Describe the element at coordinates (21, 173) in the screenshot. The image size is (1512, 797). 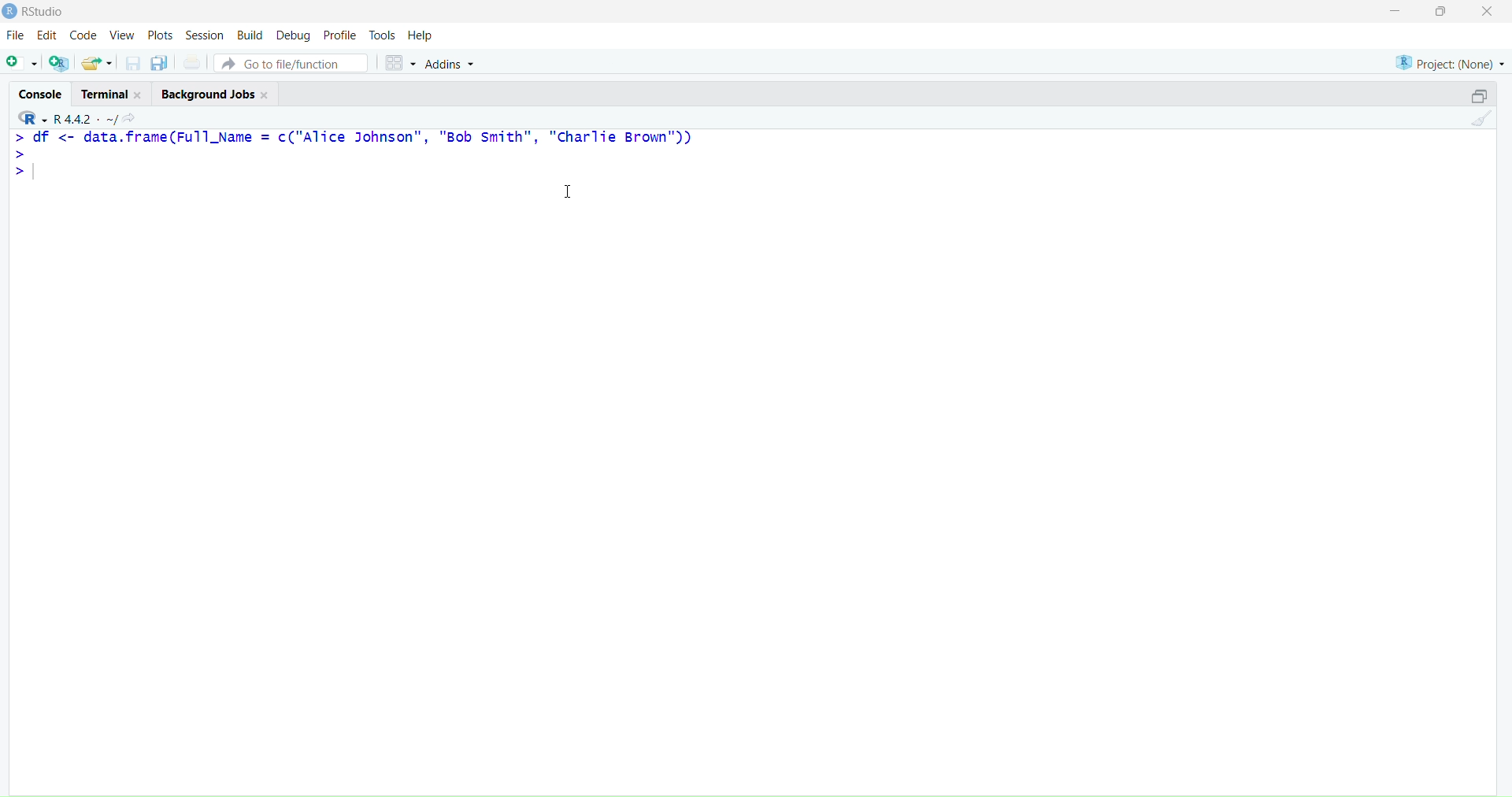
I see `Prompt Cursor` at that location.